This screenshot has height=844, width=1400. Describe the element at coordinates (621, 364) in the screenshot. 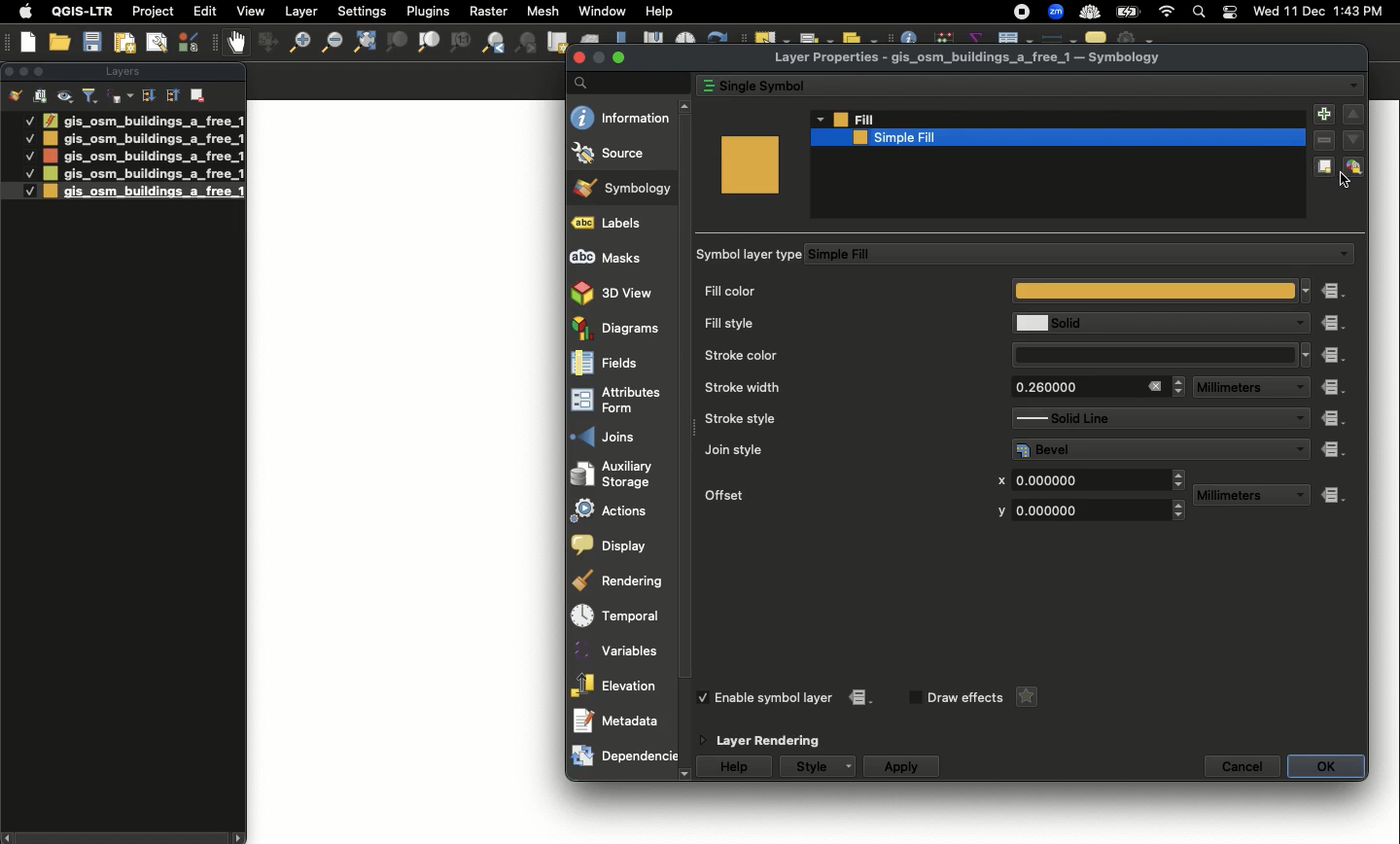

I see `Fields` at that location.